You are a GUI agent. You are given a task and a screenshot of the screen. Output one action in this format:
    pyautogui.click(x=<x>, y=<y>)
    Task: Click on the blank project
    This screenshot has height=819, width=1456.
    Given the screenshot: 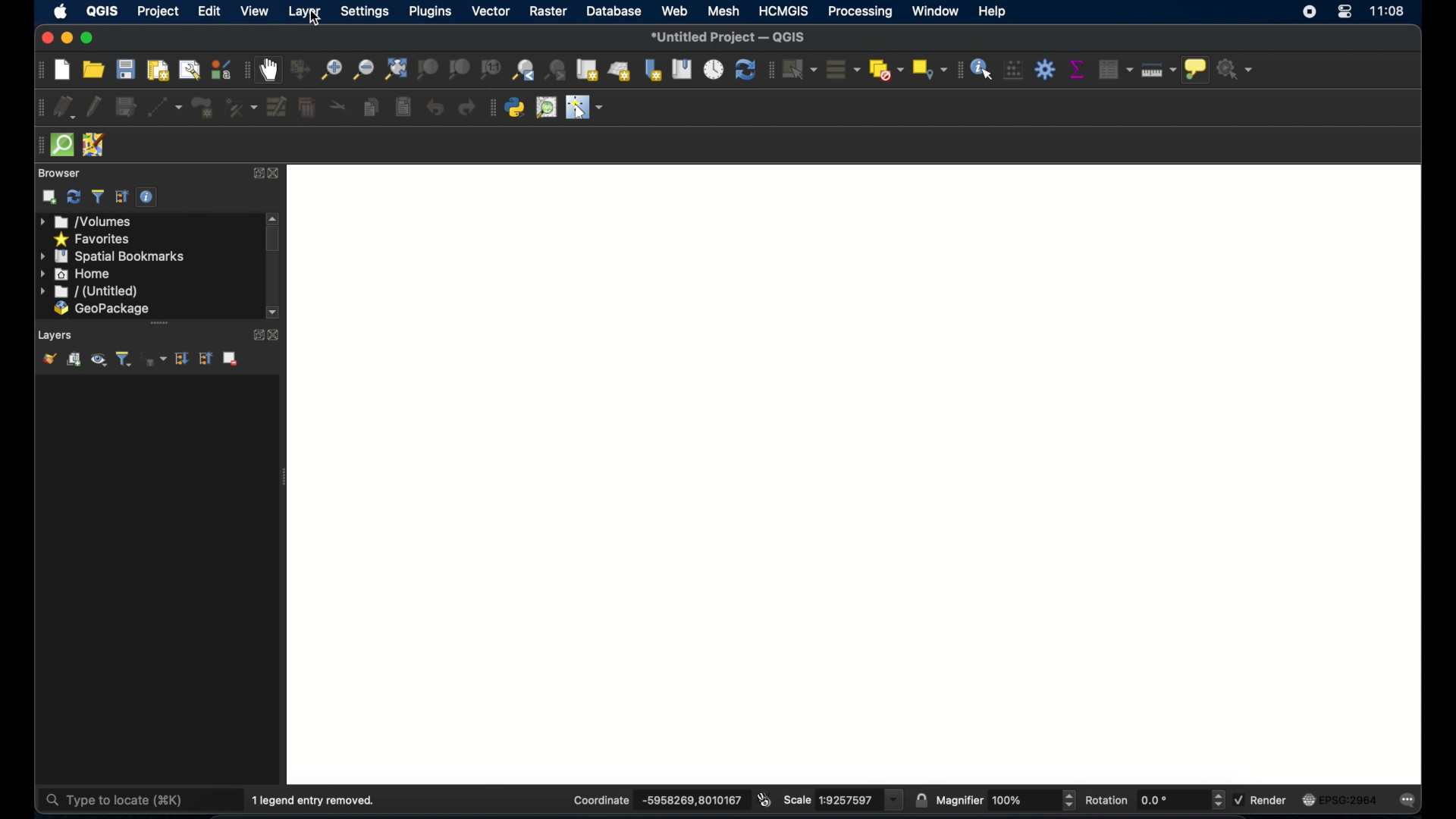 What is the action you would take?
    pyautogui.click(x=863, y=472)
    